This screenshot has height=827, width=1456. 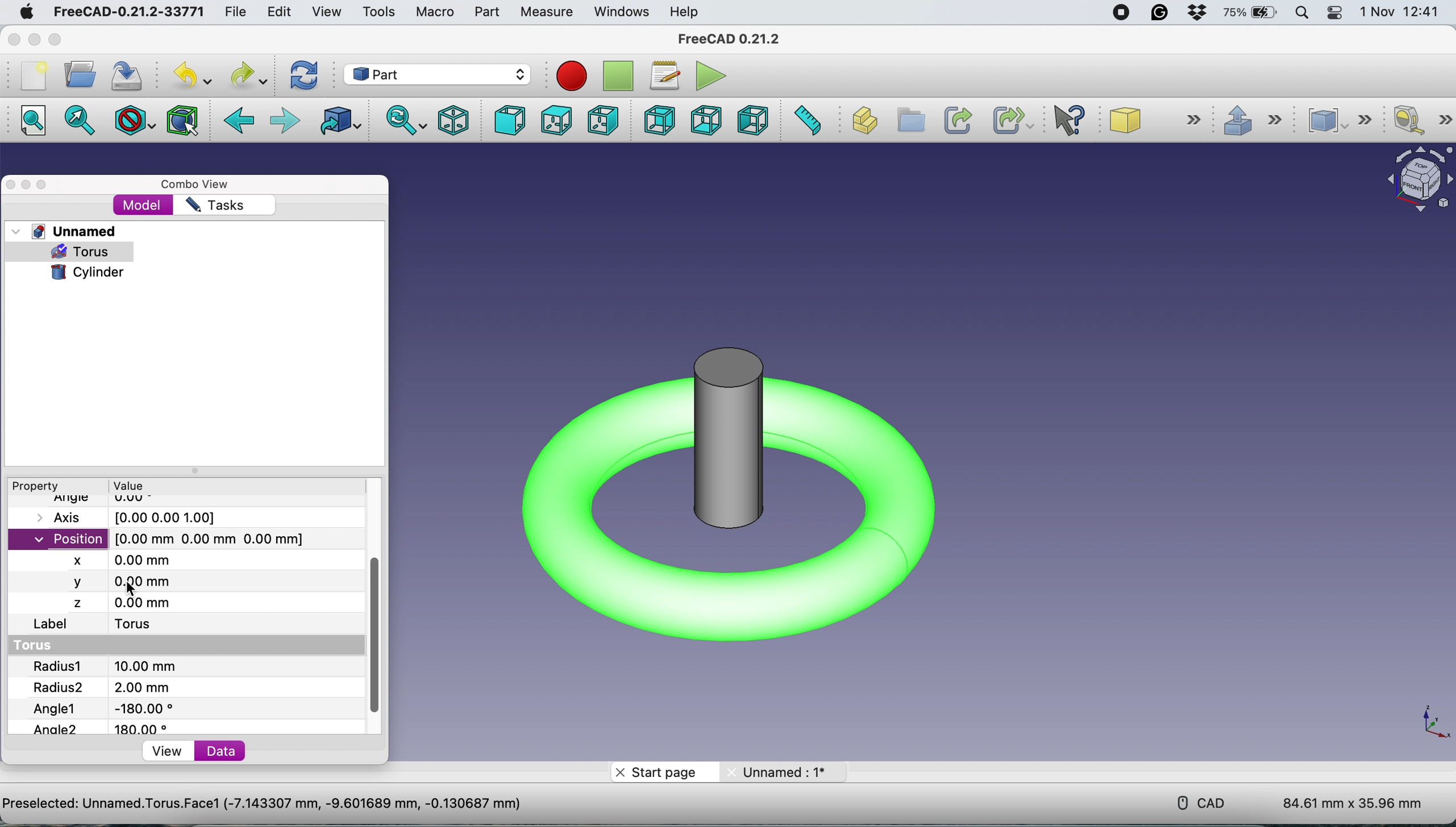 I want to click on object interface, so click(x=1415, y=182).